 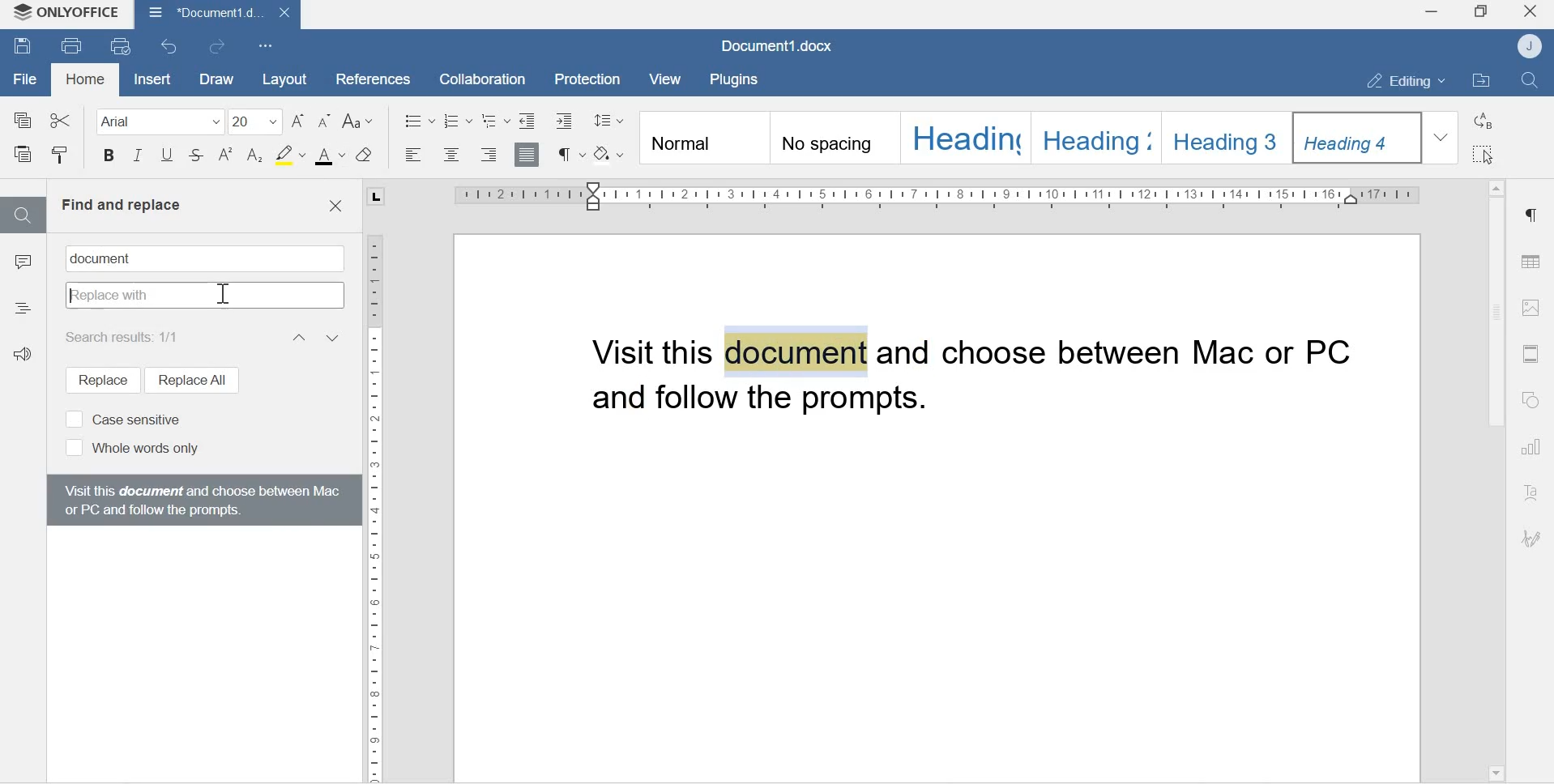 I want to click on Decrease indent, so click(x=527, y=119).